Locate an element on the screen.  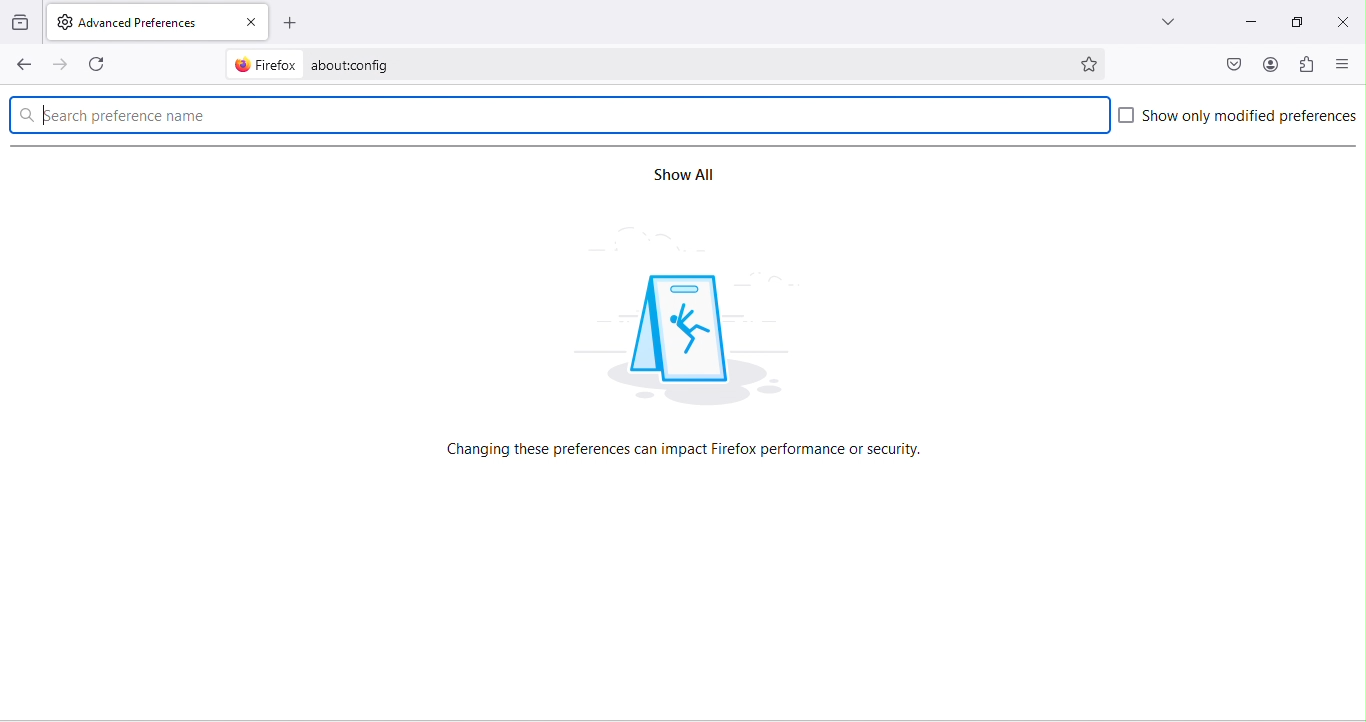
forward is located at coordinates (61, 63).